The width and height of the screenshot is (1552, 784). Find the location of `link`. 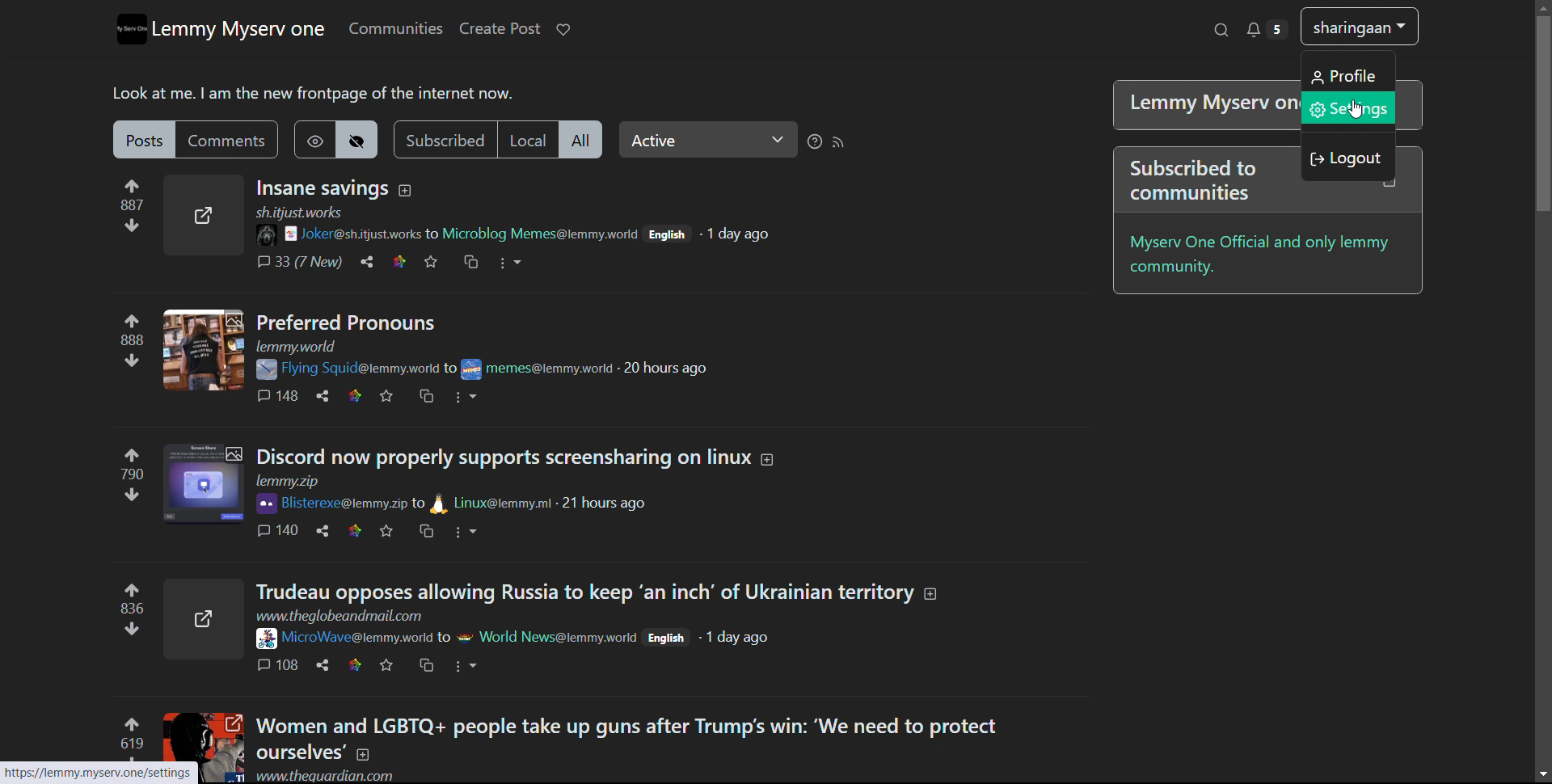

link is located at coordinates (355, 664).